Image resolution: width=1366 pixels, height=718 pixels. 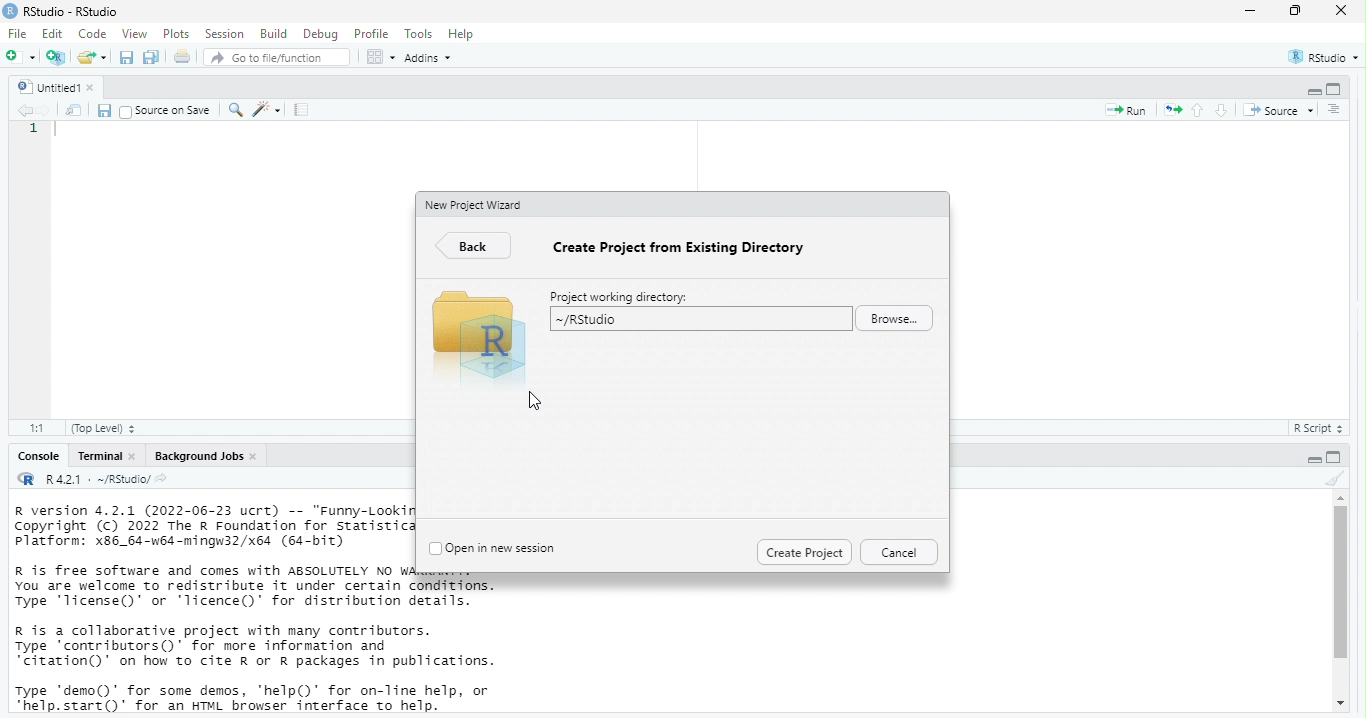 I want to click on R Script, so click(x=1317, y=429).